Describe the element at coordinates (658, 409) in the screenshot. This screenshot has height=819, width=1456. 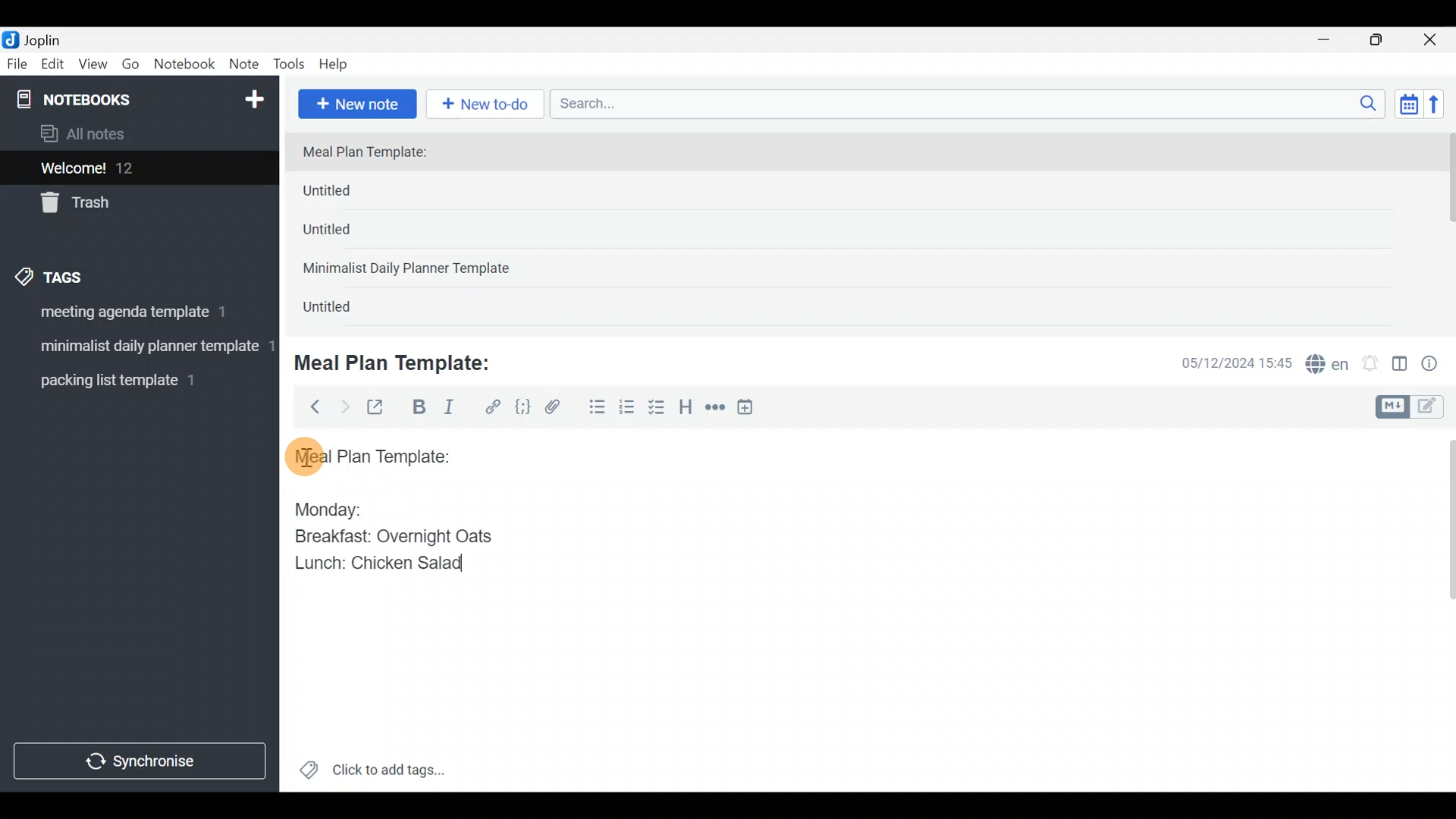
I see `Checkbox` at that location.